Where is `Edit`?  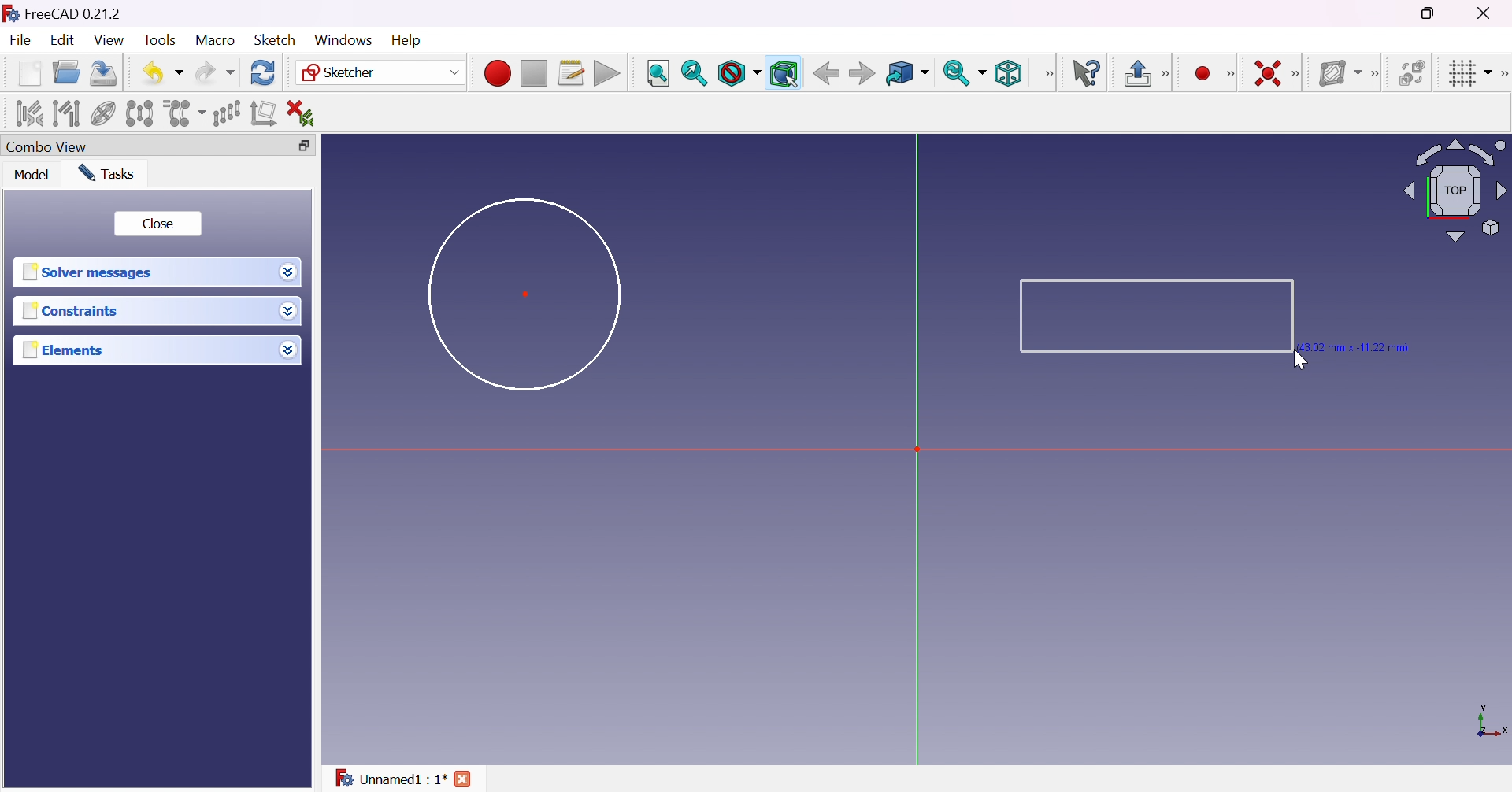 Edit is located at coordinates (64, 42).